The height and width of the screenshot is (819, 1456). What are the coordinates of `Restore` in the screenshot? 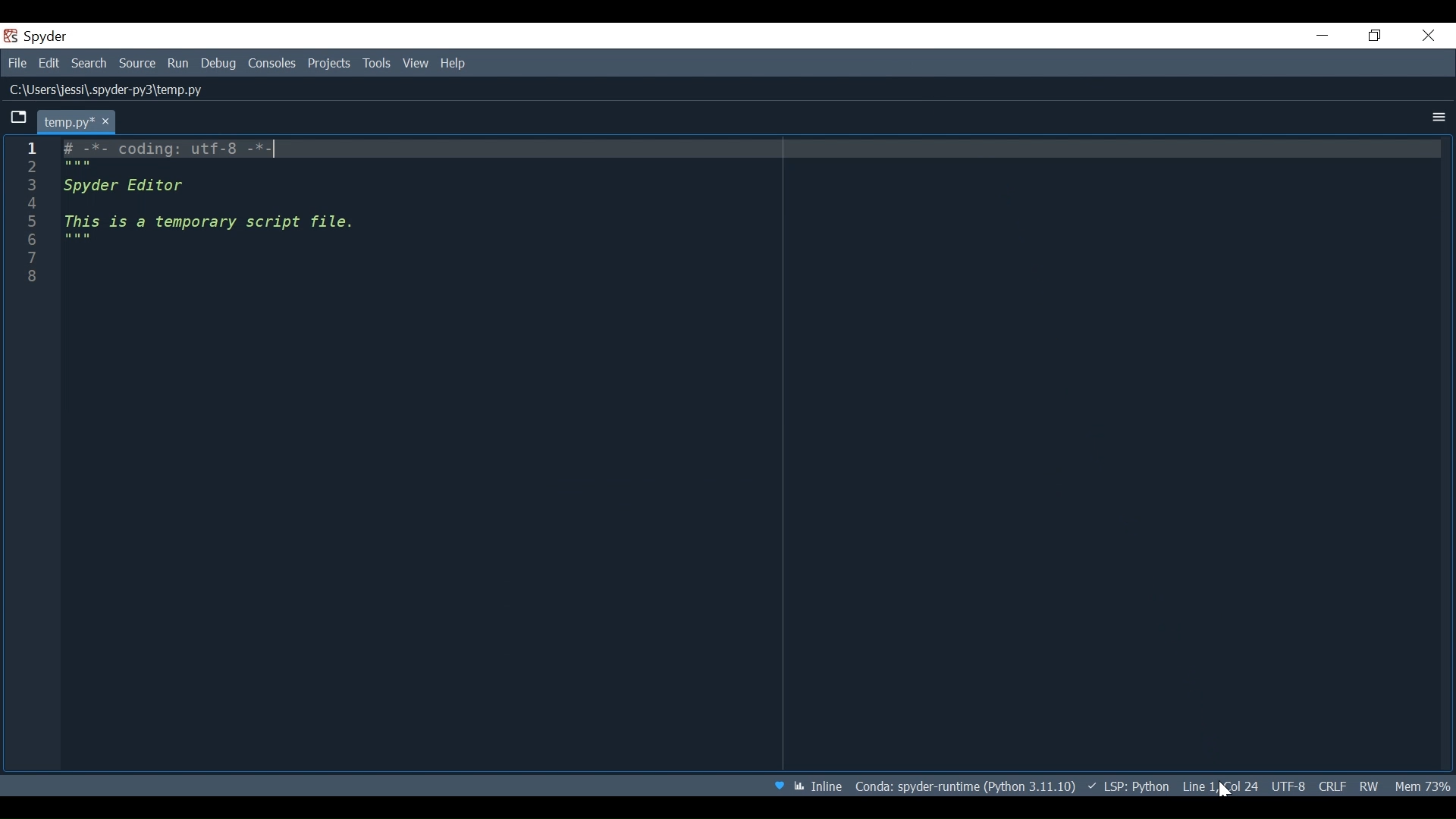 It's located at (1376, 35).